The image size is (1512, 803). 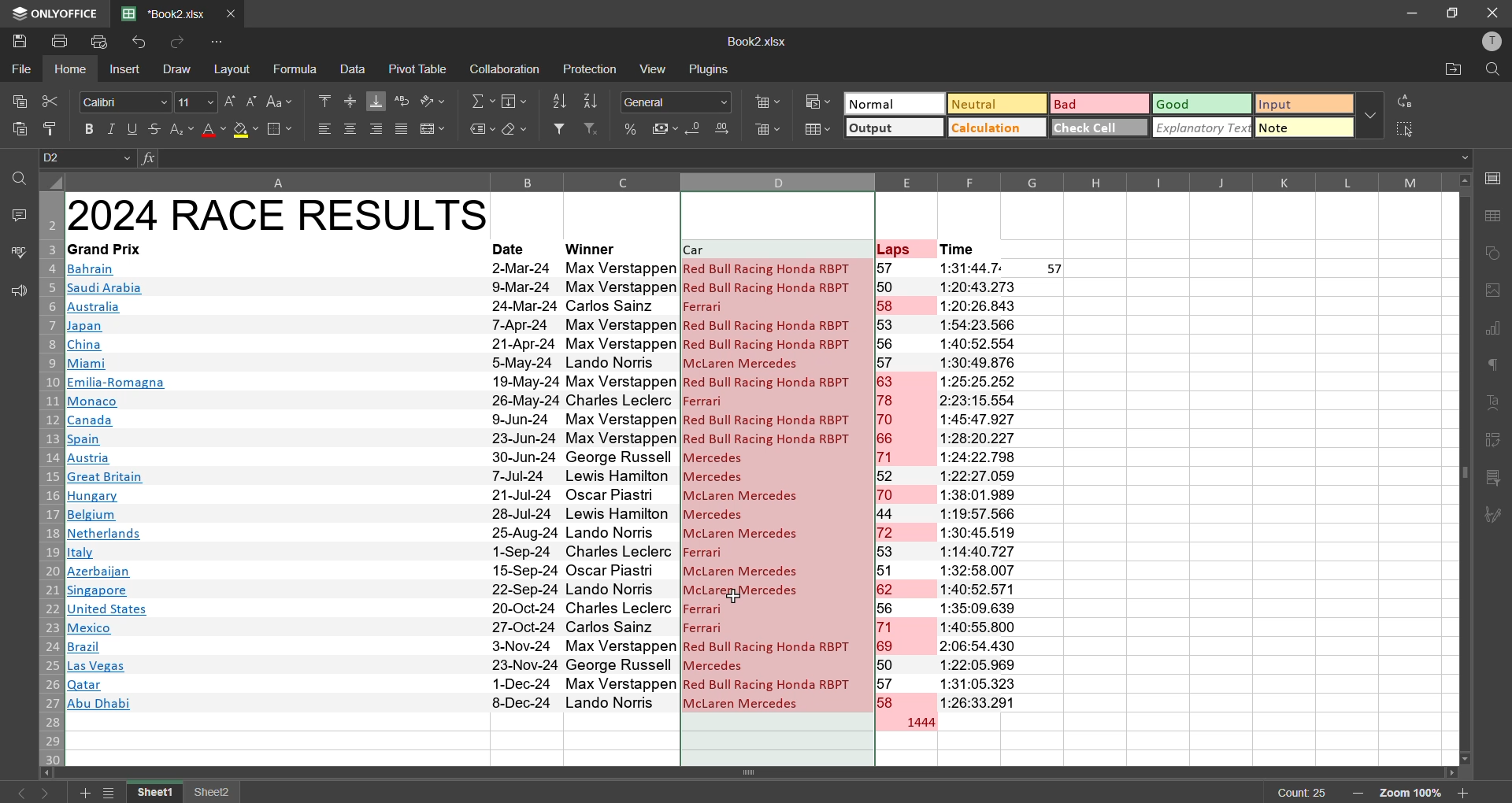 I want to click on sheet list, so click(x=112, y=794).